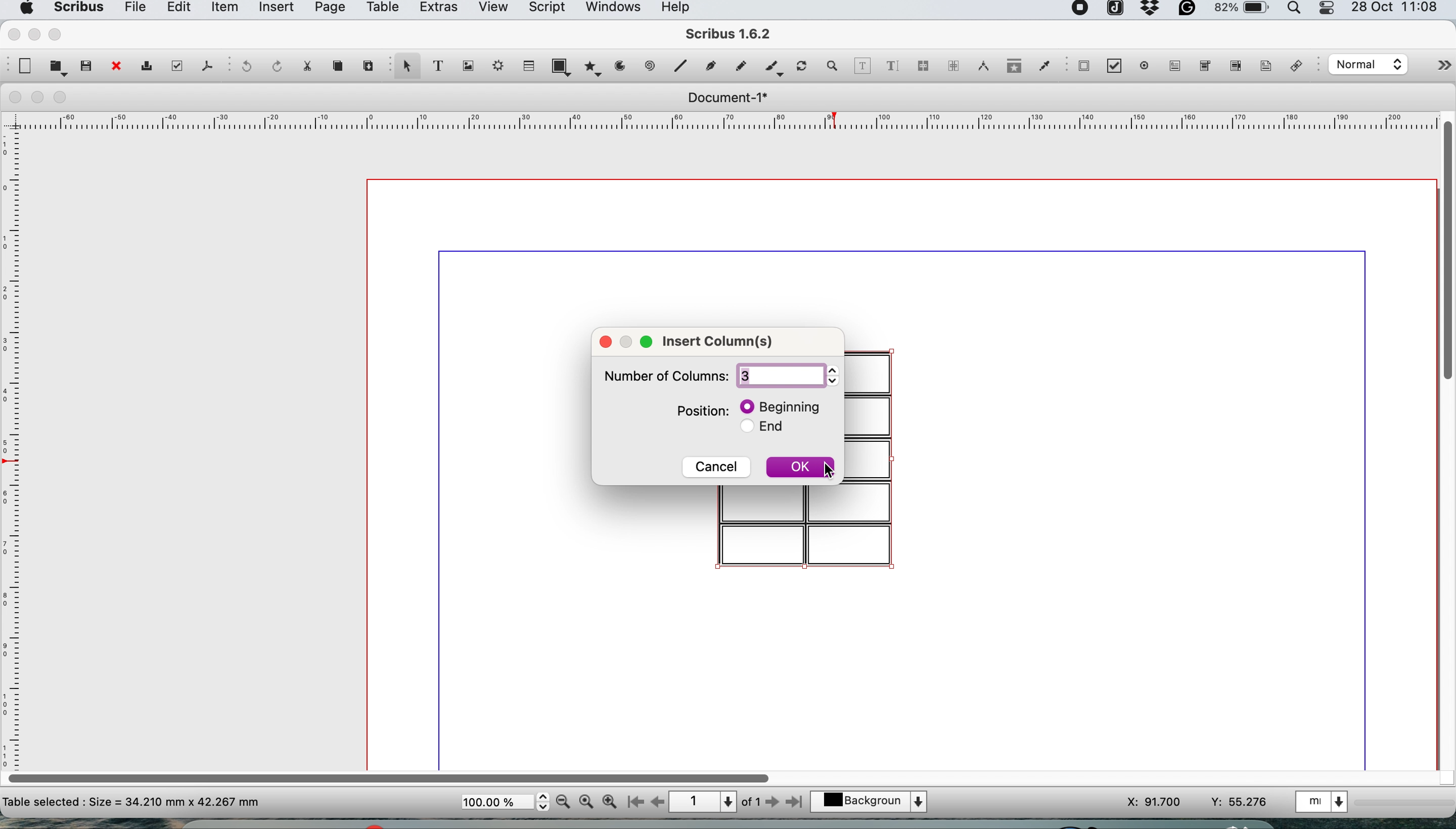  Describe the element at coordinates (436, 10) in the screenshot. I see `extras` at that location.